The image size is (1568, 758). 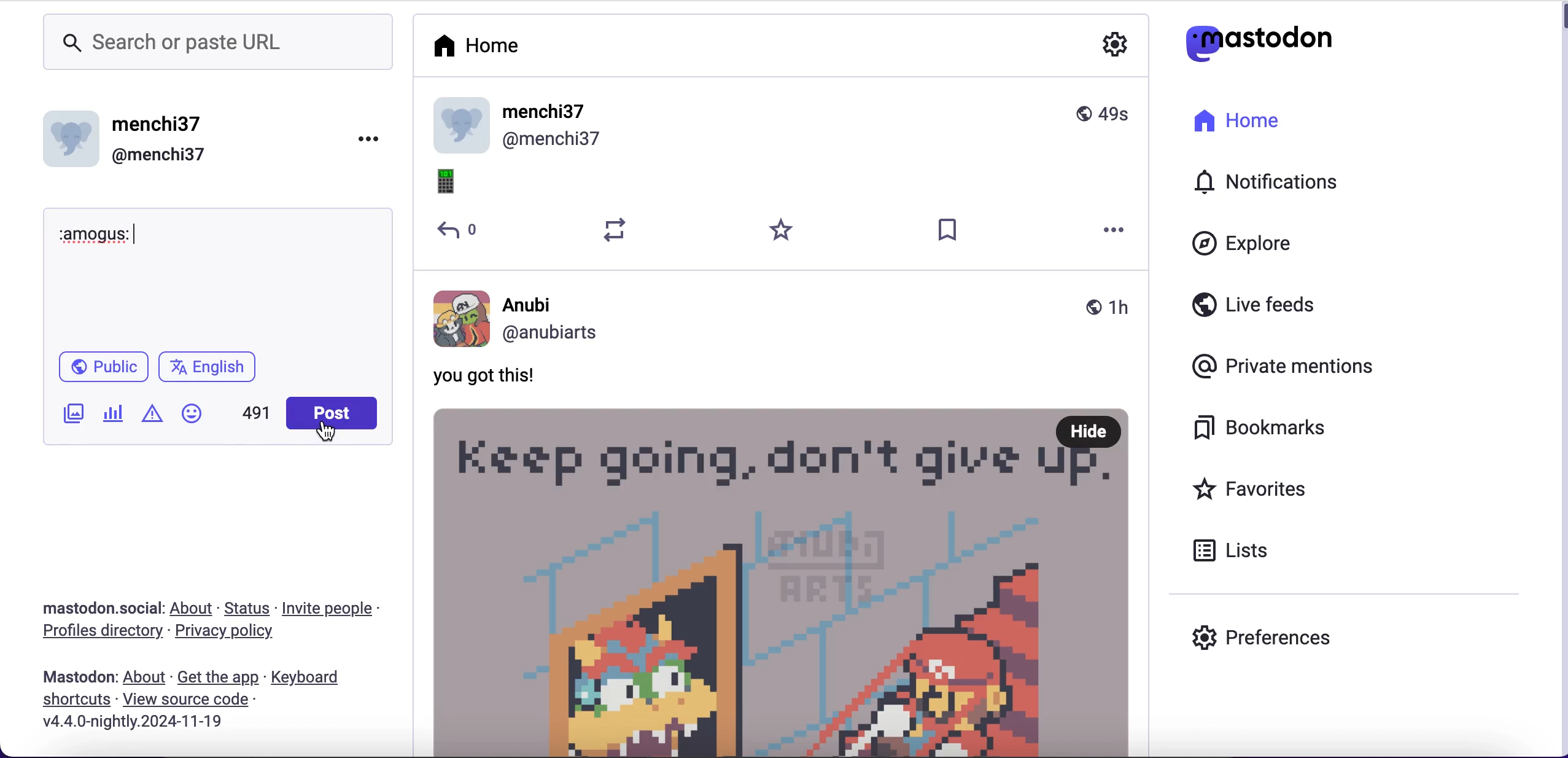 I want to click on invite people, so click(x=337, y=609).